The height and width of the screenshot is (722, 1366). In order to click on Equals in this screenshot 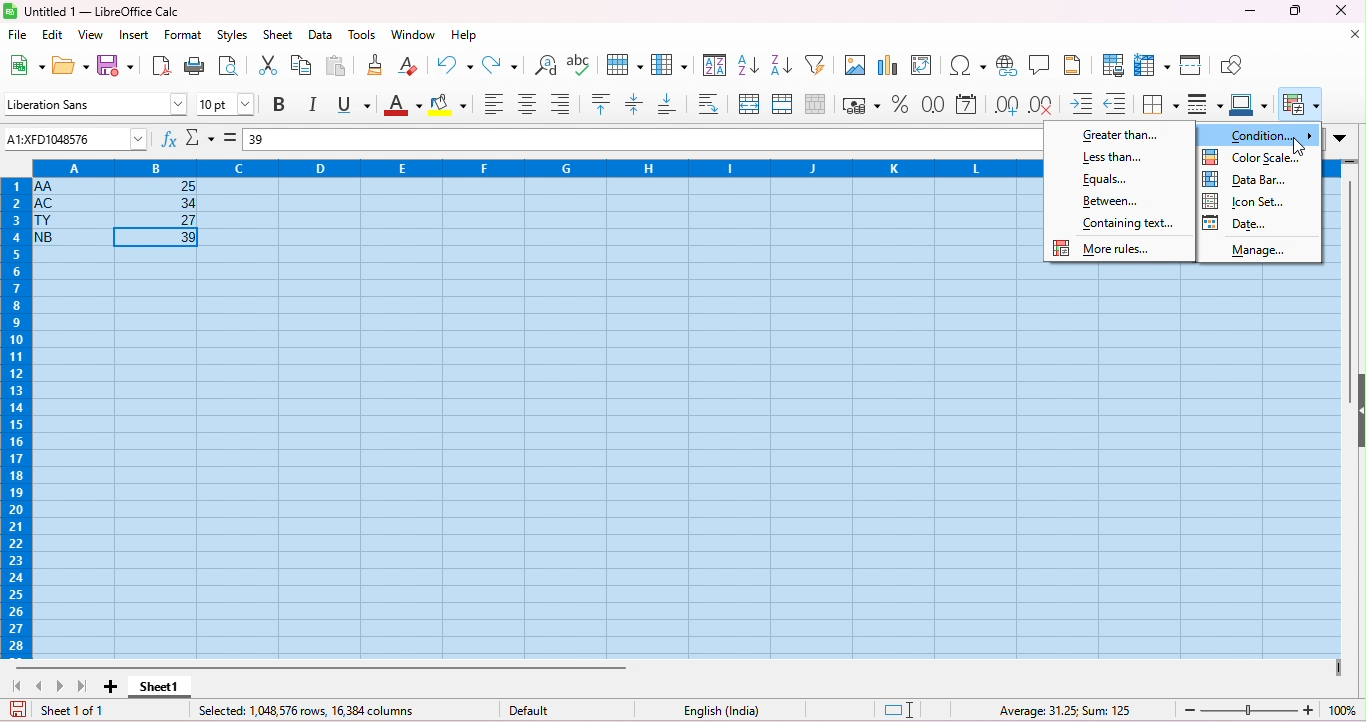, I will do `click(1106, 179)`.